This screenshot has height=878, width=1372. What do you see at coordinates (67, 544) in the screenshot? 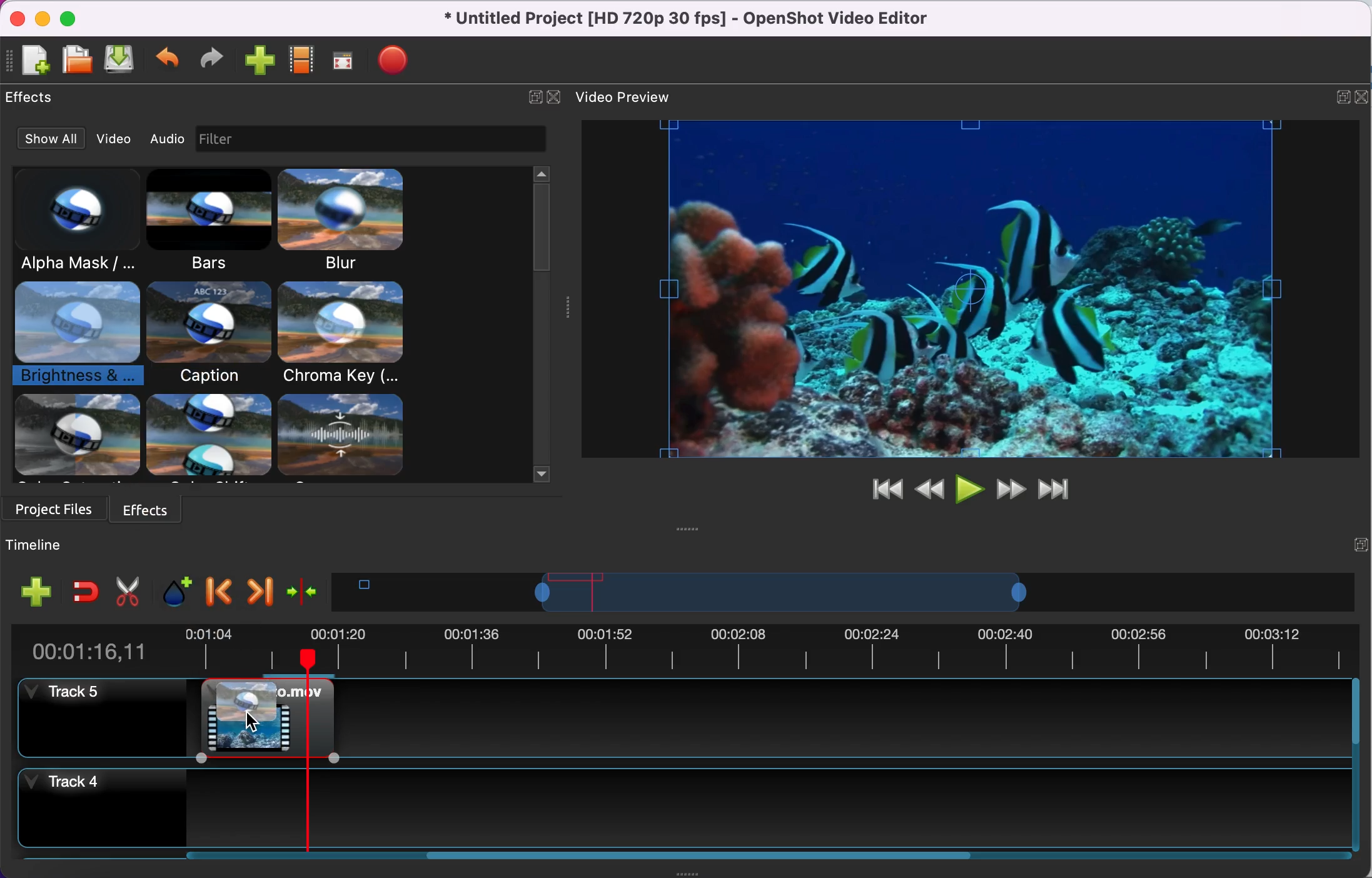
I see `timeline` at bounding box center [67, 544].